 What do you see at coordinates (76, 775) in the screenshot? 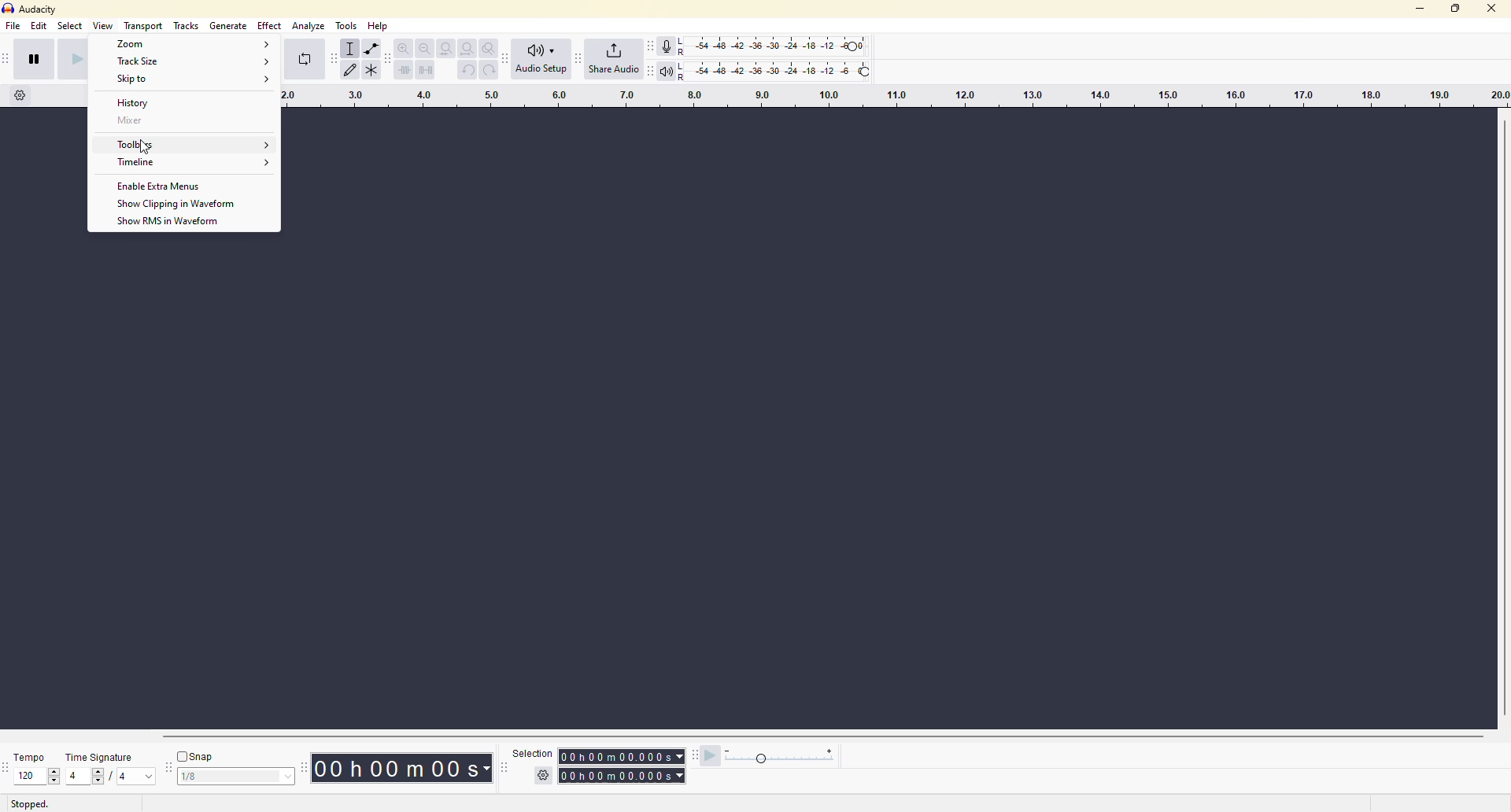
I see `4` at bounding box center [76, 775].